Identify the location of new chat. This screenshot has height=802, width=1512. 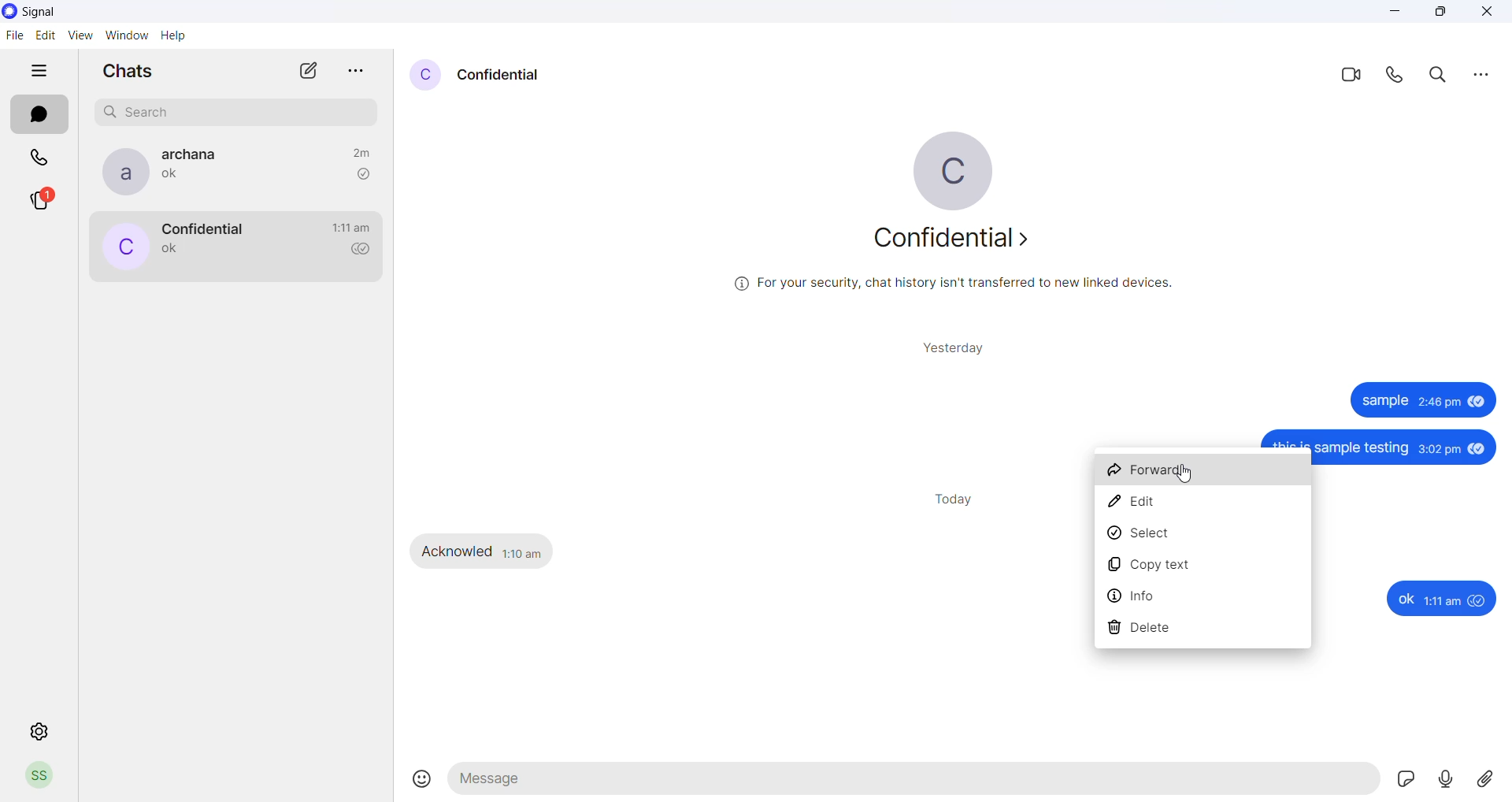
(309, 75).